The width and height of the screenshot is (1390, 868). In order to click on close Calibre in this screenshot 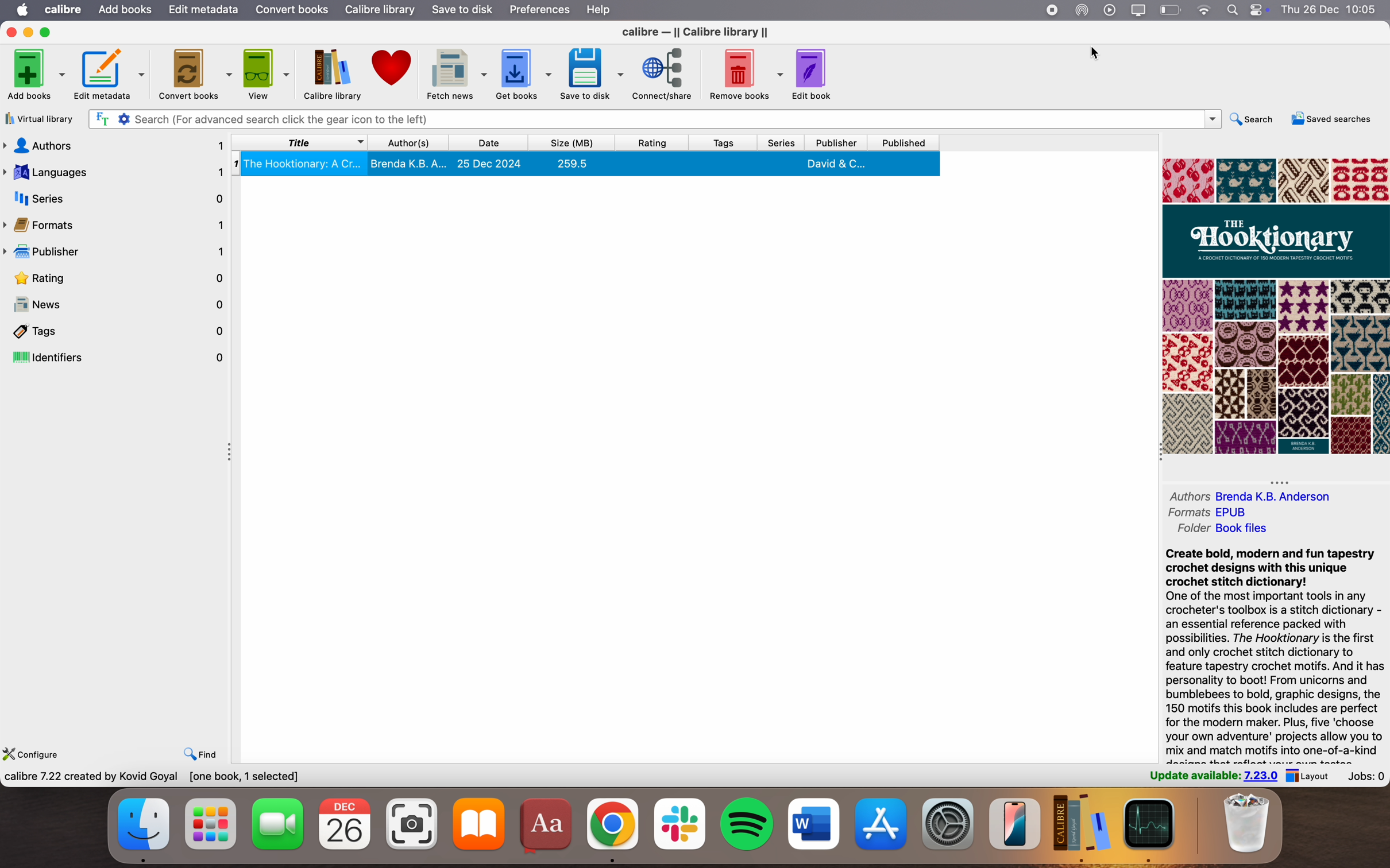, I will do `click(11, 33)`.